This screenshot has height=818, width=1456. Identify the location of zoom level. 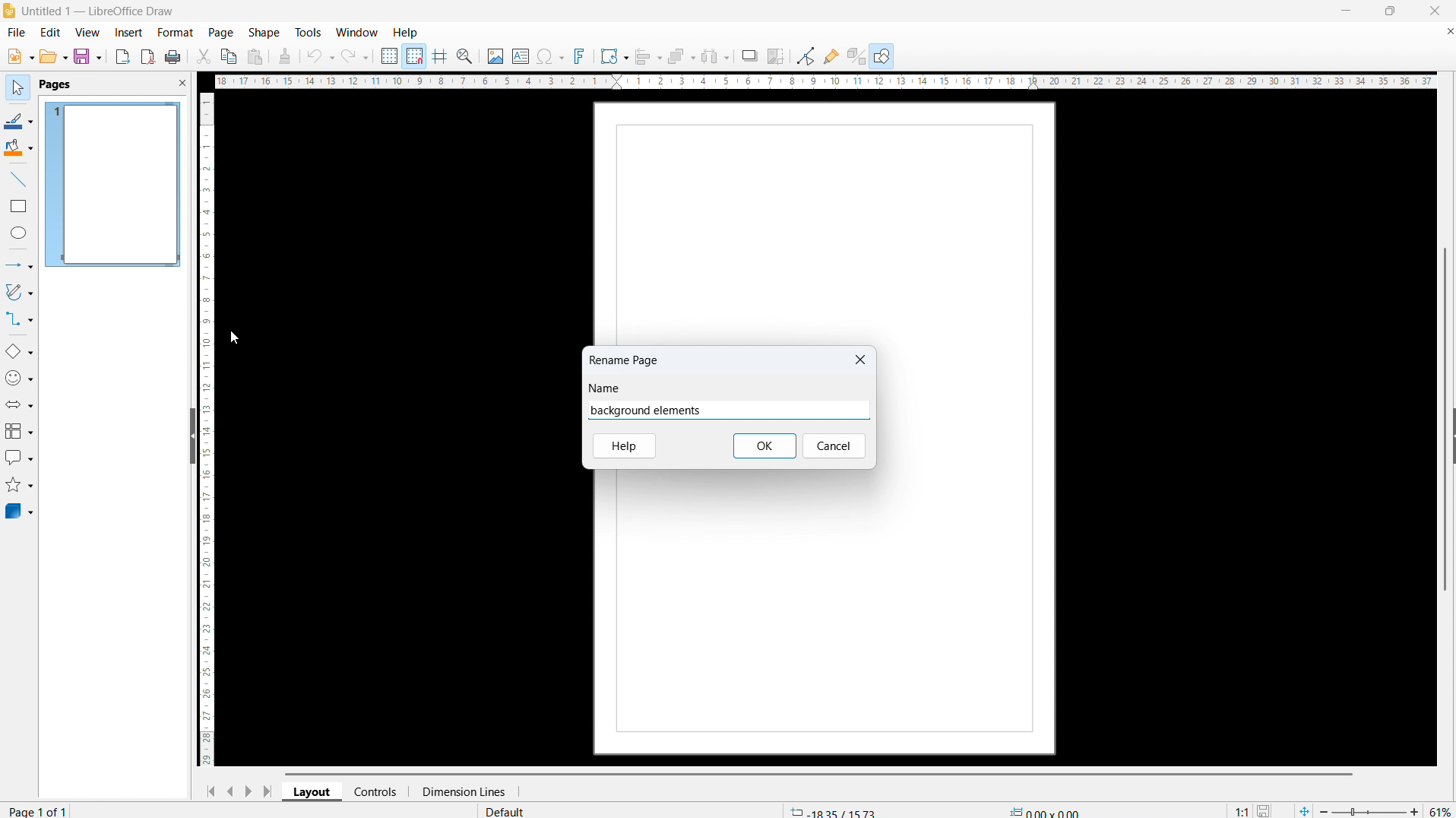
(1441, 809).